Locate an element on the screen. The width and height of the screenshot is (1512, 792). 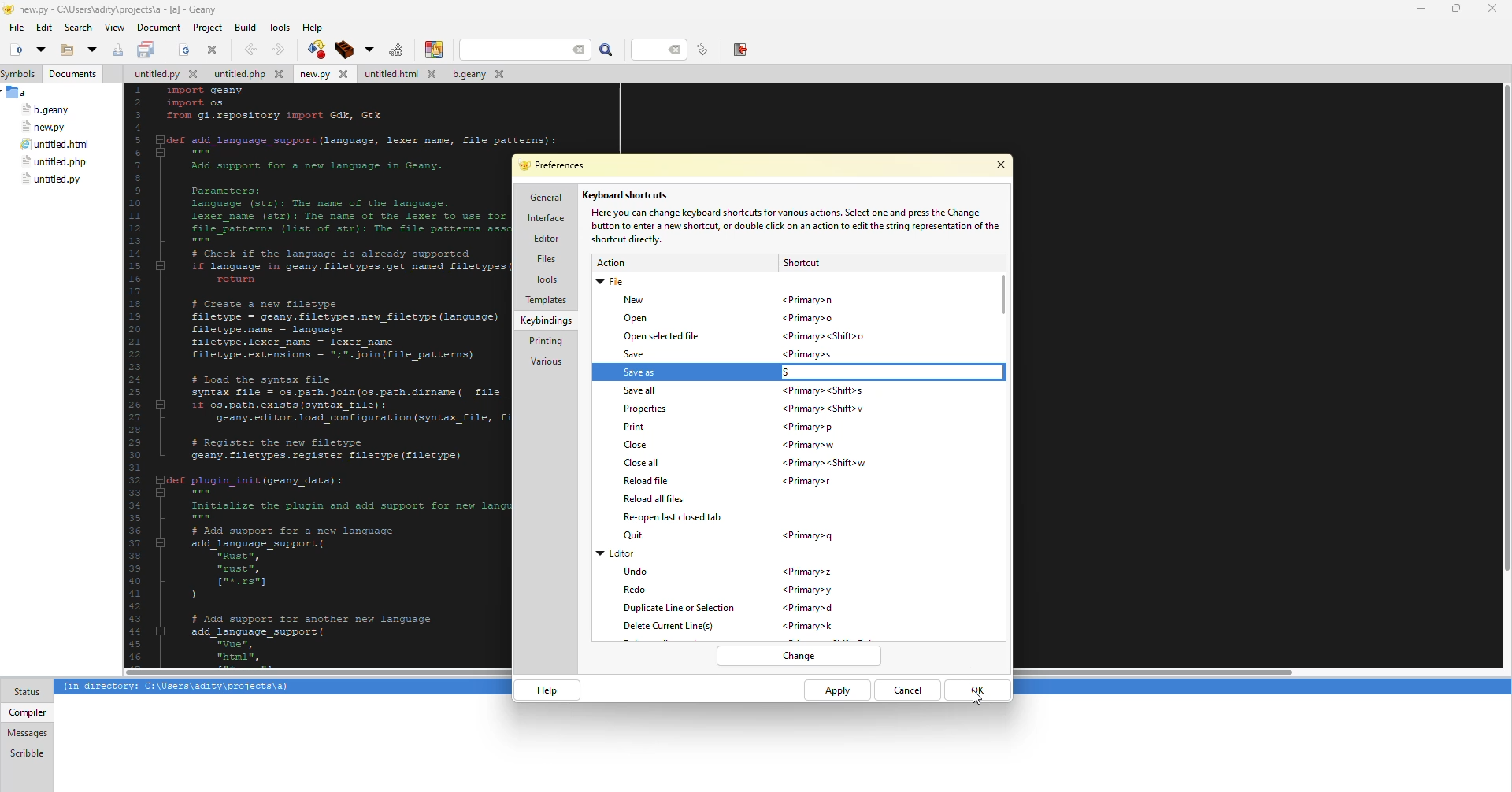
quit is located at coordinates (636, 535).